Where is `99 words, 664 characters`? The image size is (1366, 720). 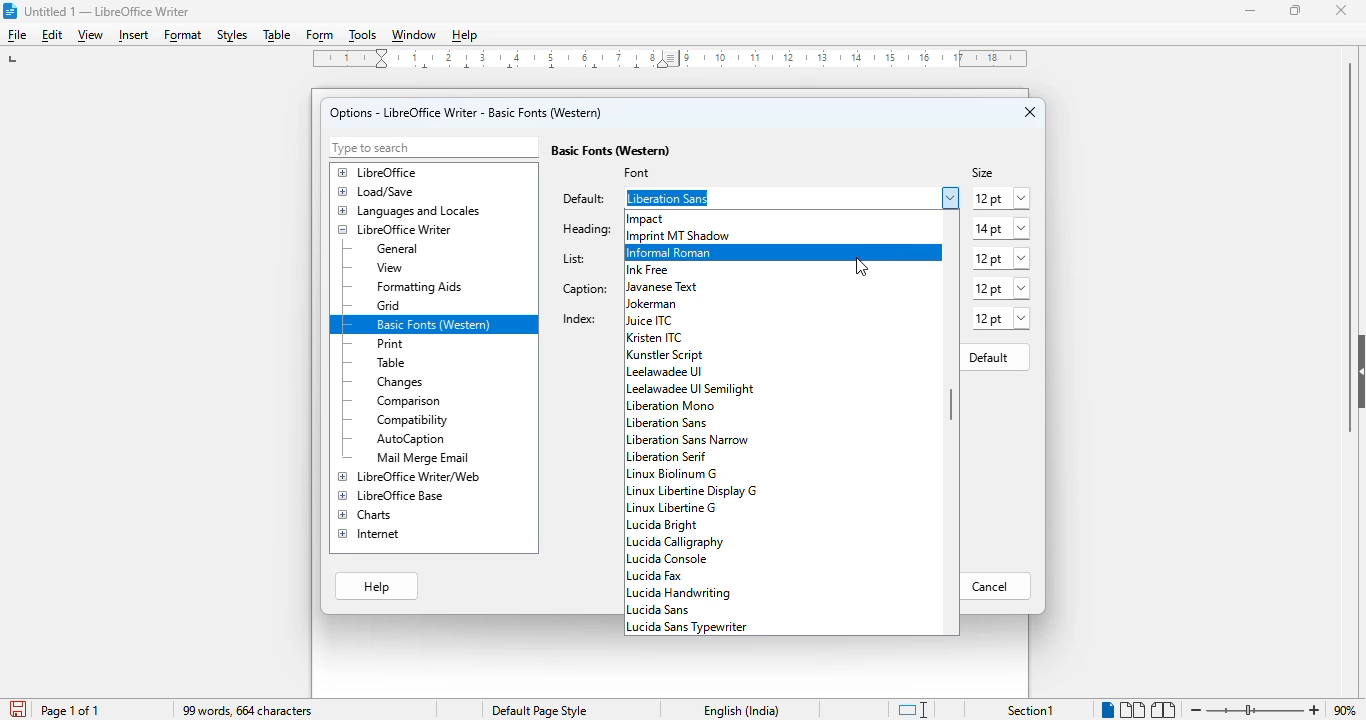 99 words, 664 characters is located at coordinates (248, 712).